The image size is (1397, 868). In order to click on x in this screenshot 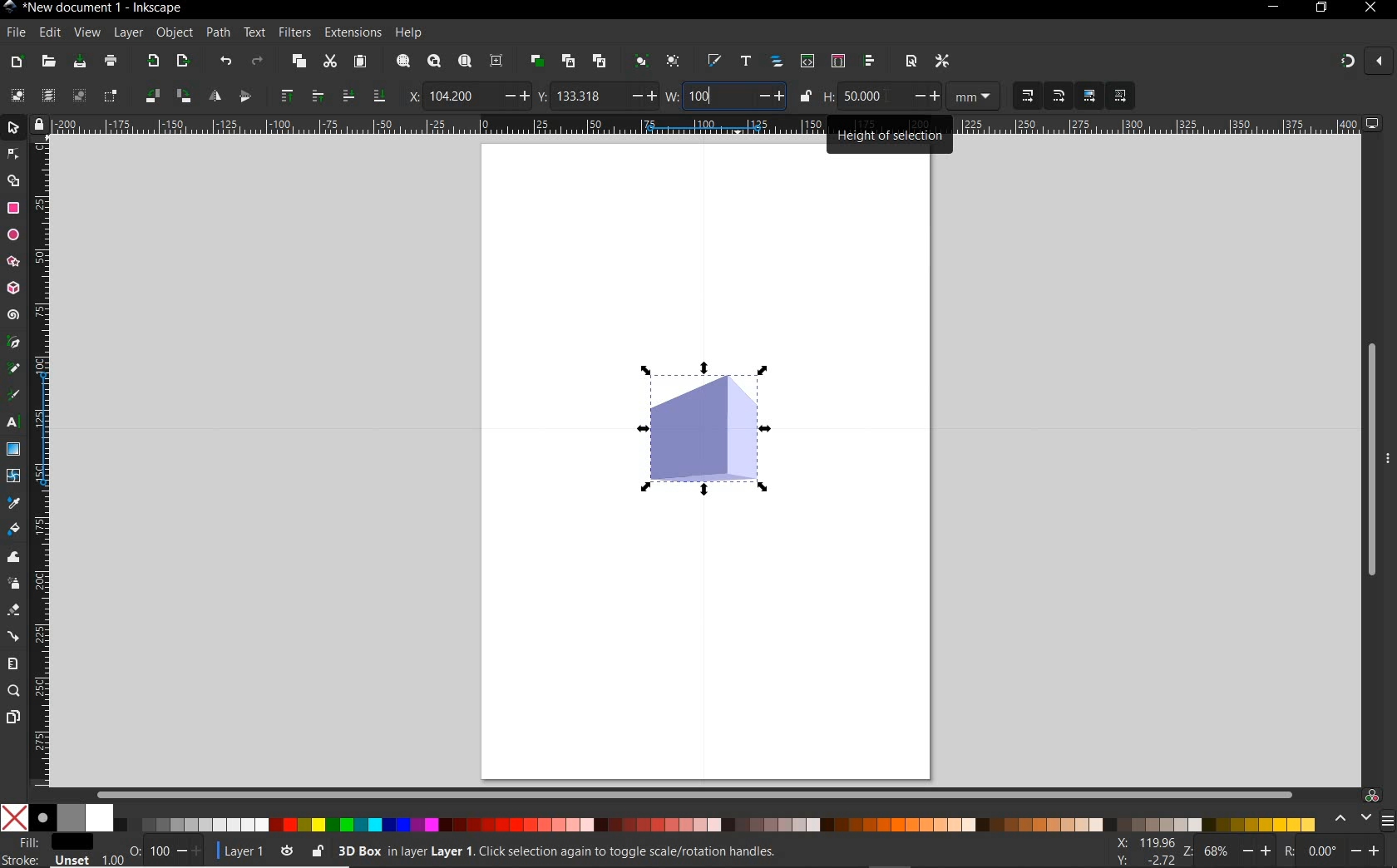, I will do `click(409, 94)`.